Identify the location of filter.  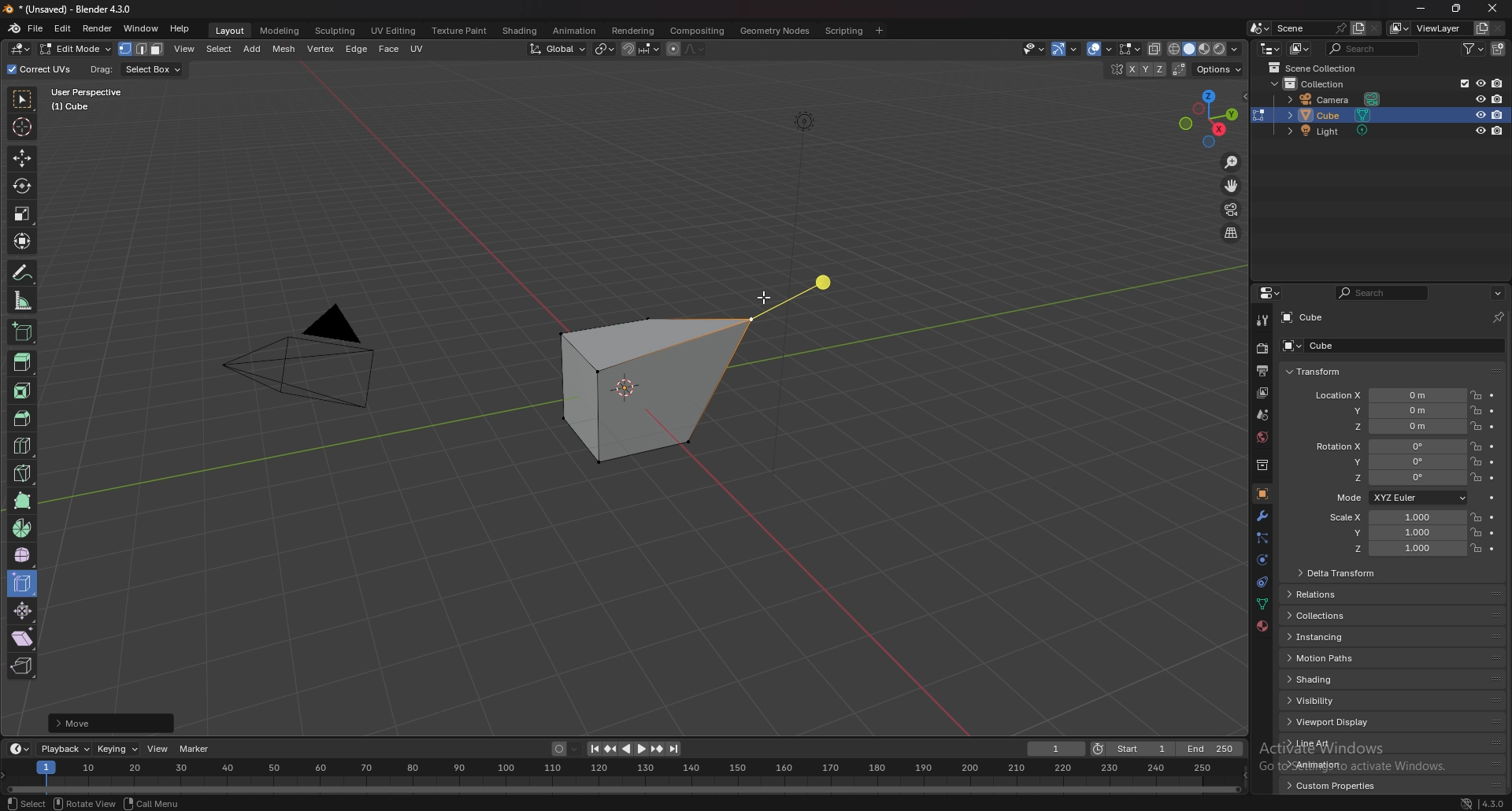
(1475, 48).